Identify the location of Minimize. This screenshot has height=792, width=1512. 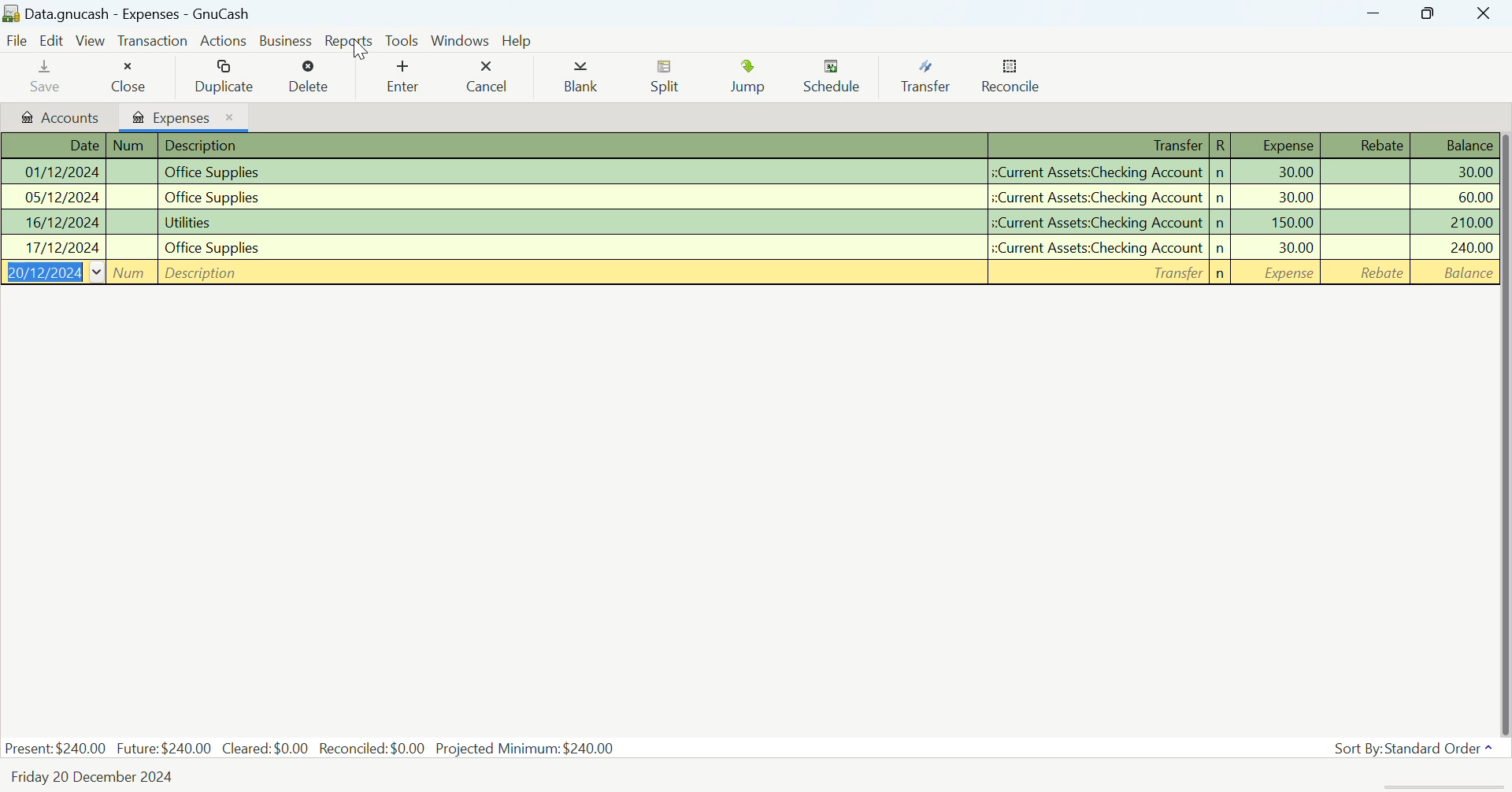
(1427, 13).